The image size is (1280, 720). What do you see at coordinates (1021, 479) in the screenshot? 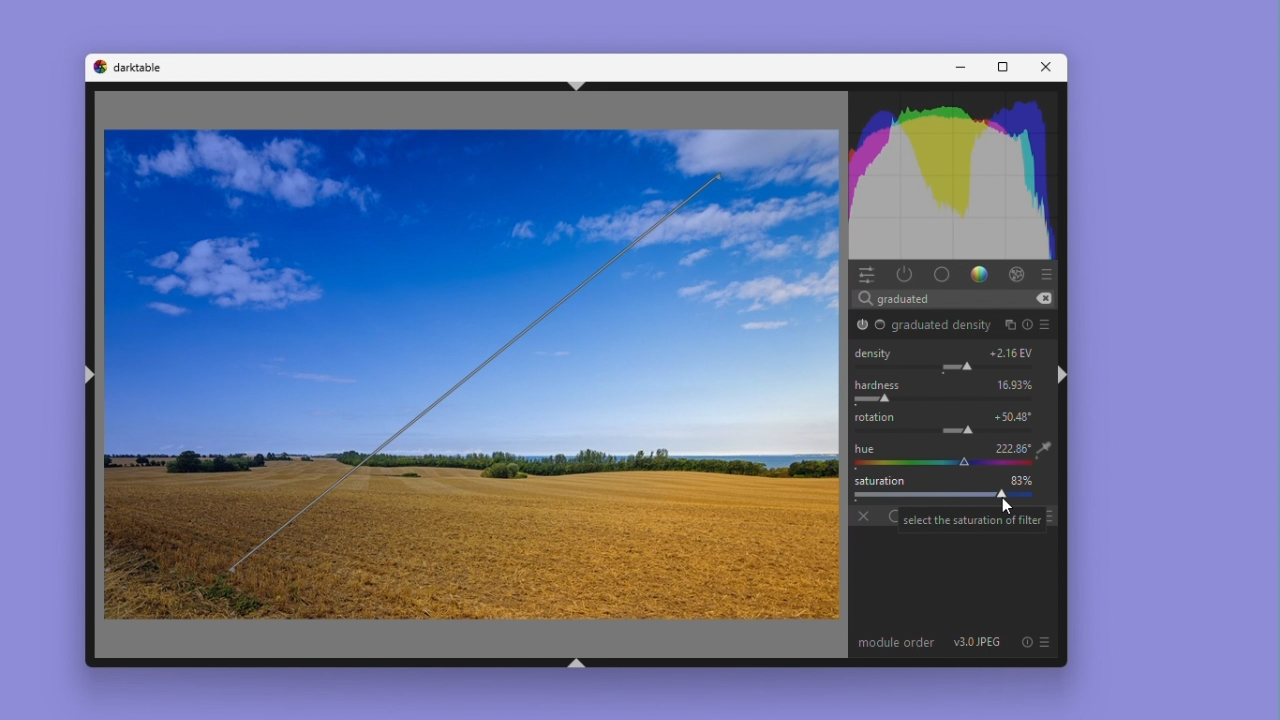
I see `83%` at bounding box center [1021, 479].